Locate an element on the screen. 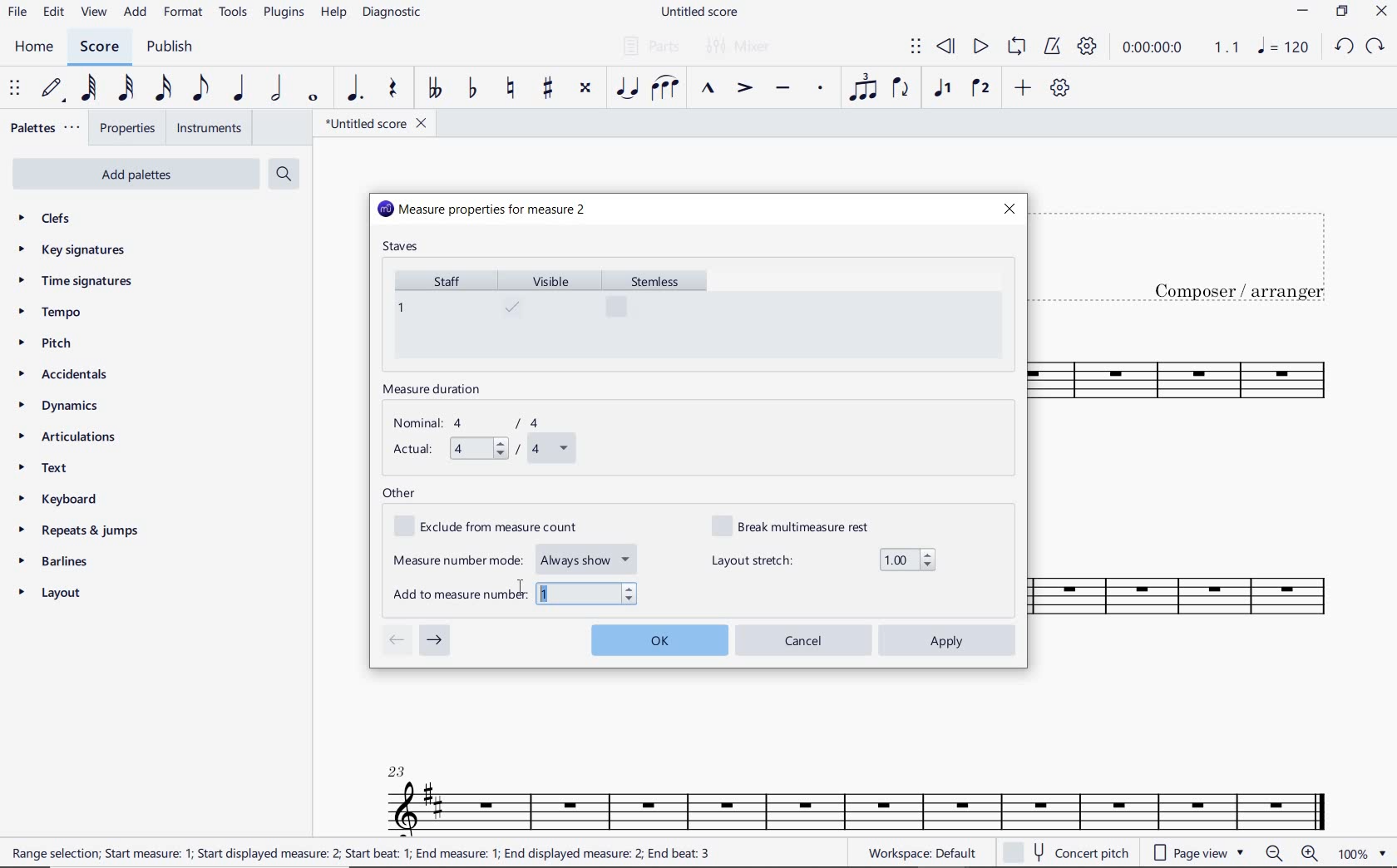 Image resolution: width=1397 pixels, height=868 pixels. TOGGLE FLAT is located at coordinates (473, 90).